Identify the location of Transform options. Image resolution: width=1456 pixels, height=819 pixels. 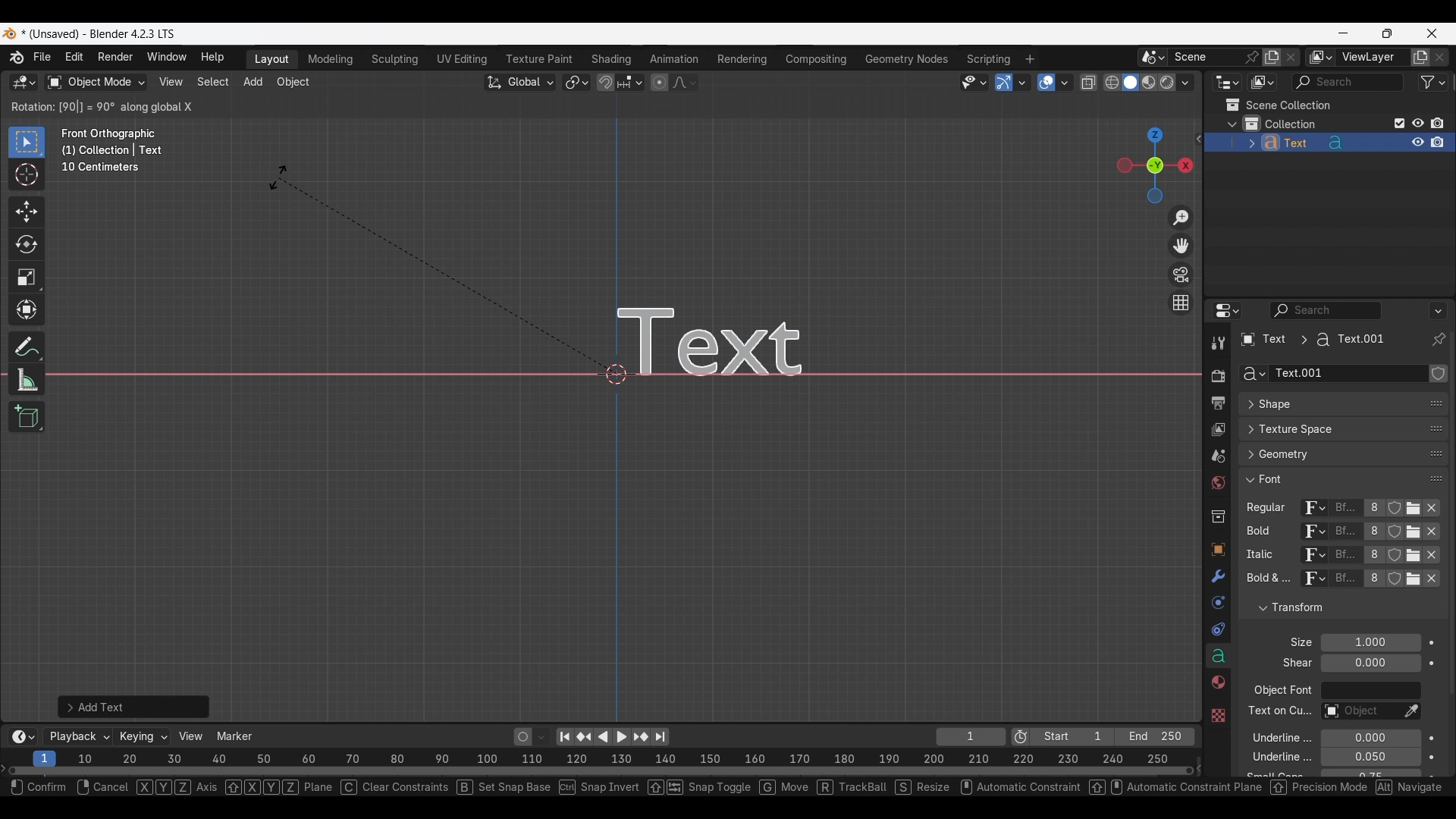
(1165, 107).